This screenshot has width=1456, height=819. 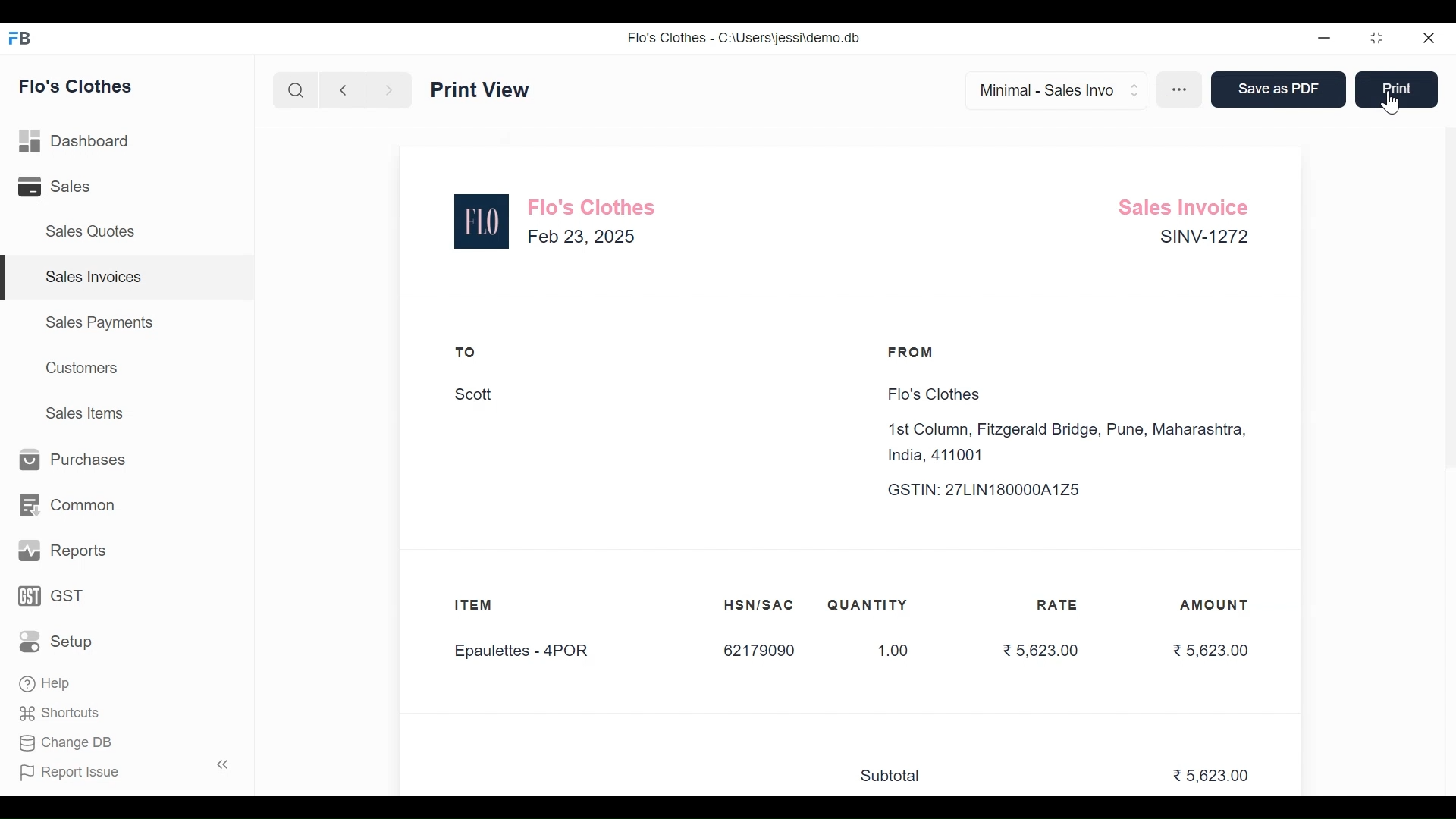 What do you see at coordinates (897, 777) in the screenshot?
I see `Subtotal` at bounding box center [897, 777].